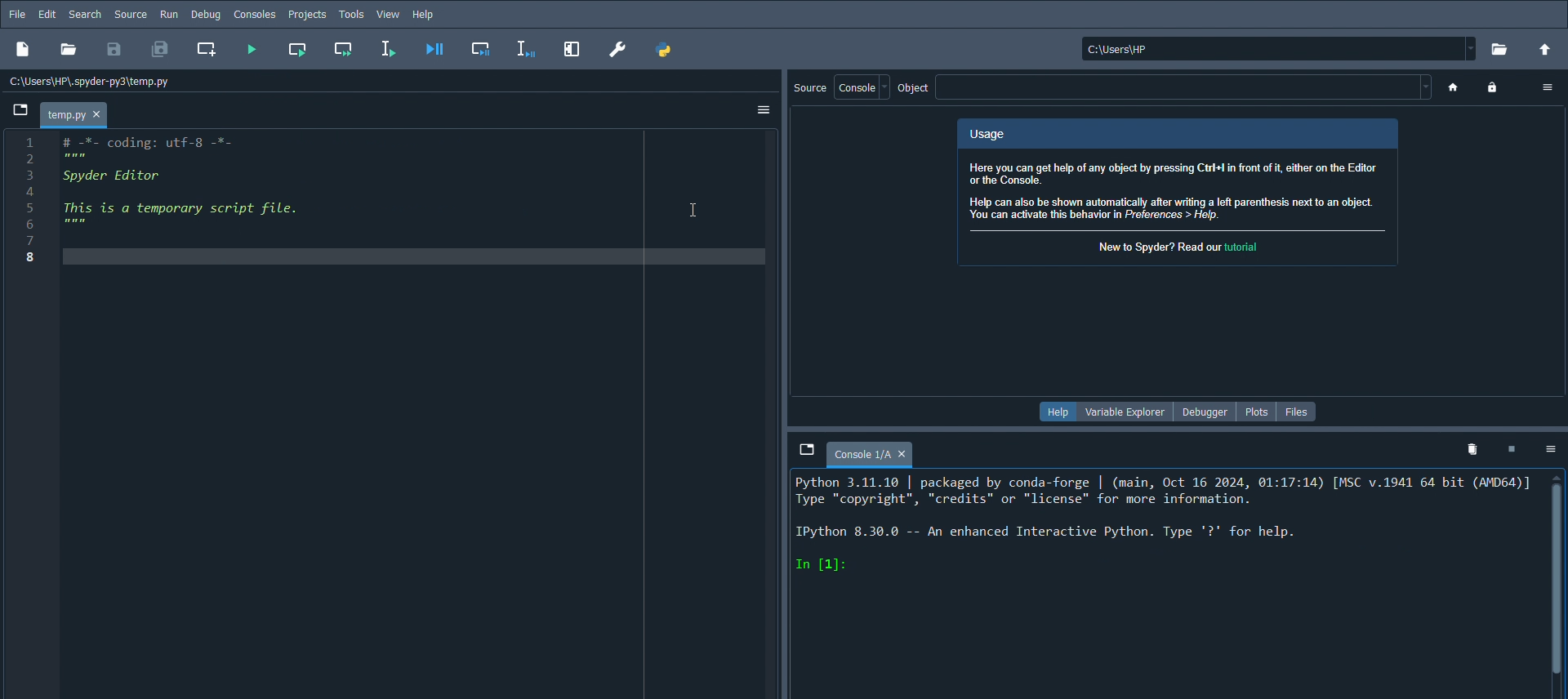 The height and width of the screenshot is (699, 1568). I want to click on Code editor, so click(187, 184).